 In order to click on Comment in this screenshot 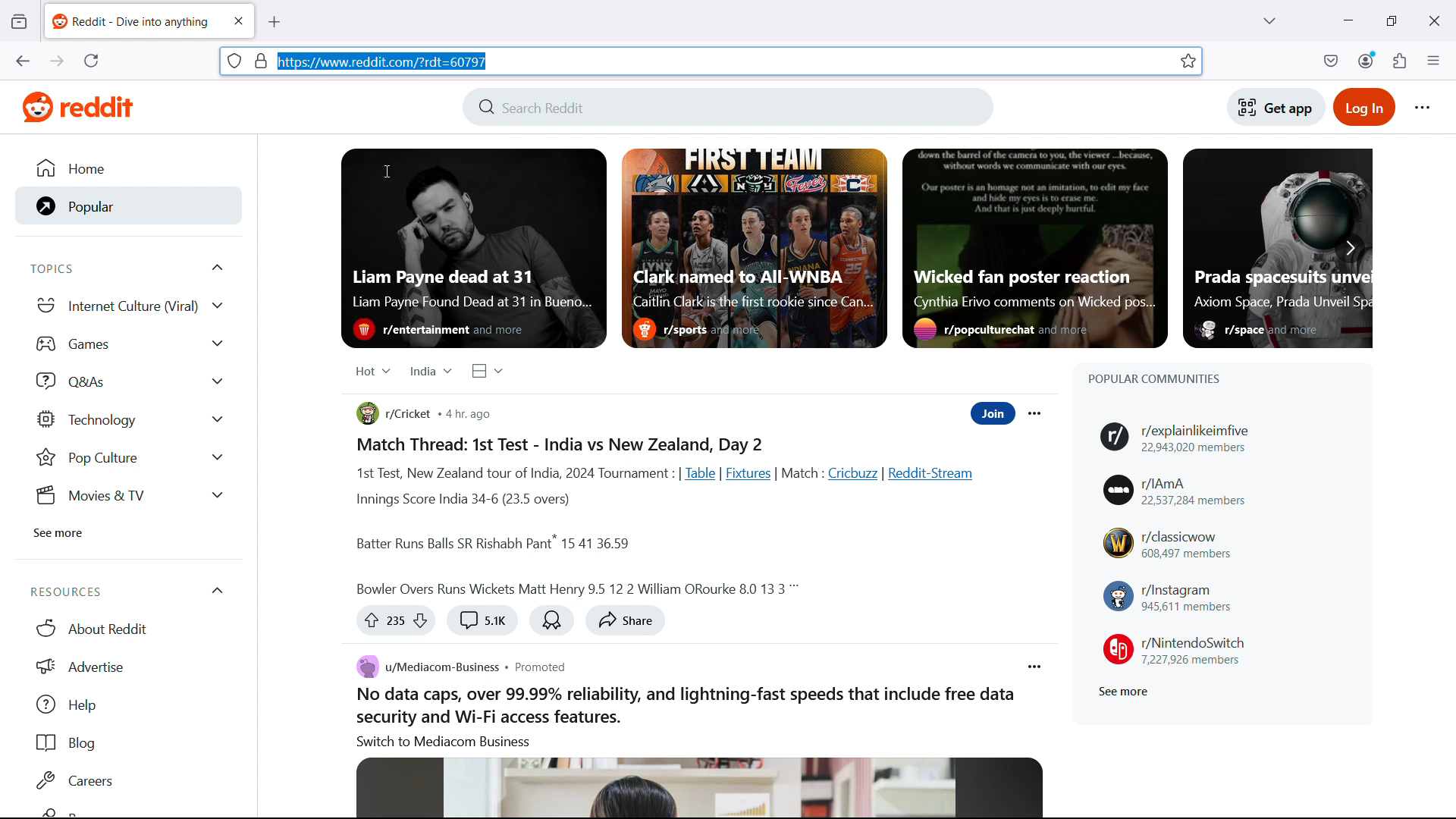, I will do `click(481, 621)`.